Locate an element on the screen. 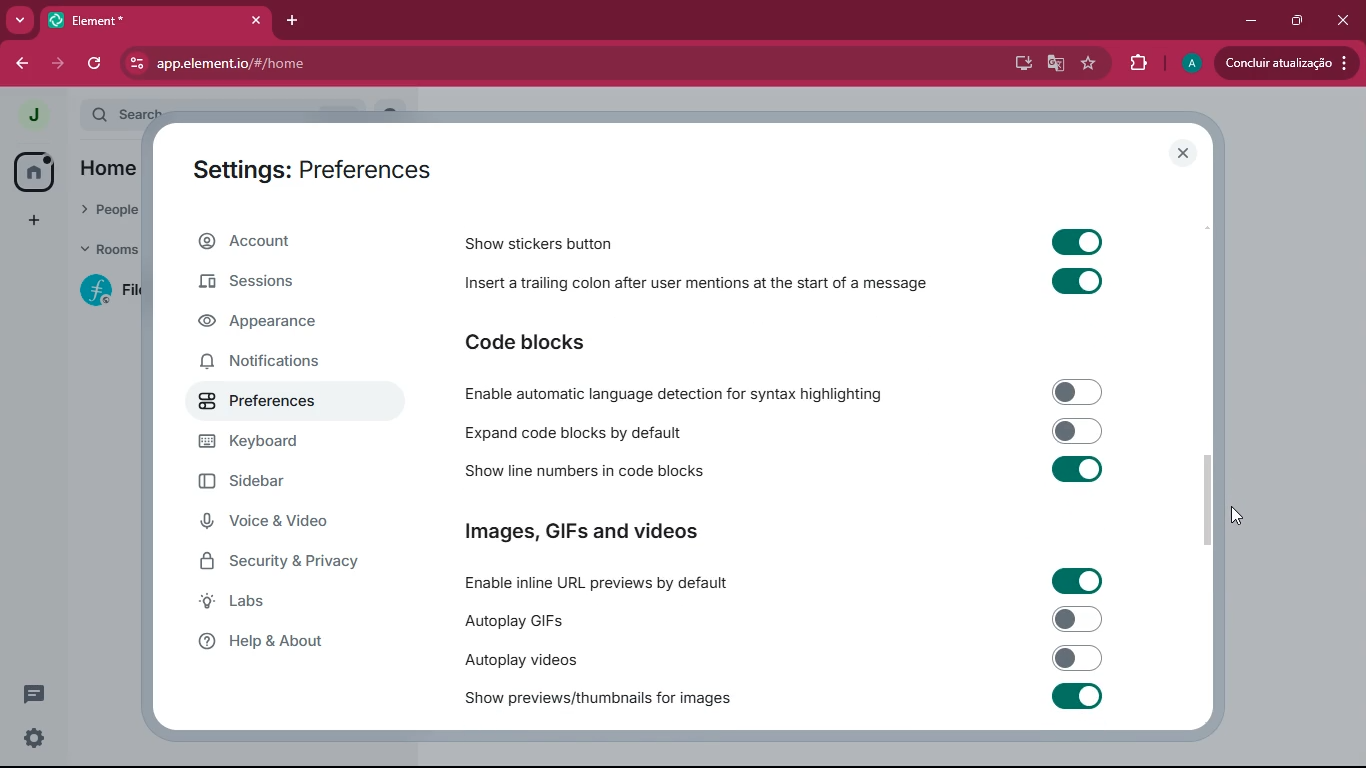 This screenshot has width=1366, height=768. keyboard is located at coordinates (289, 443).